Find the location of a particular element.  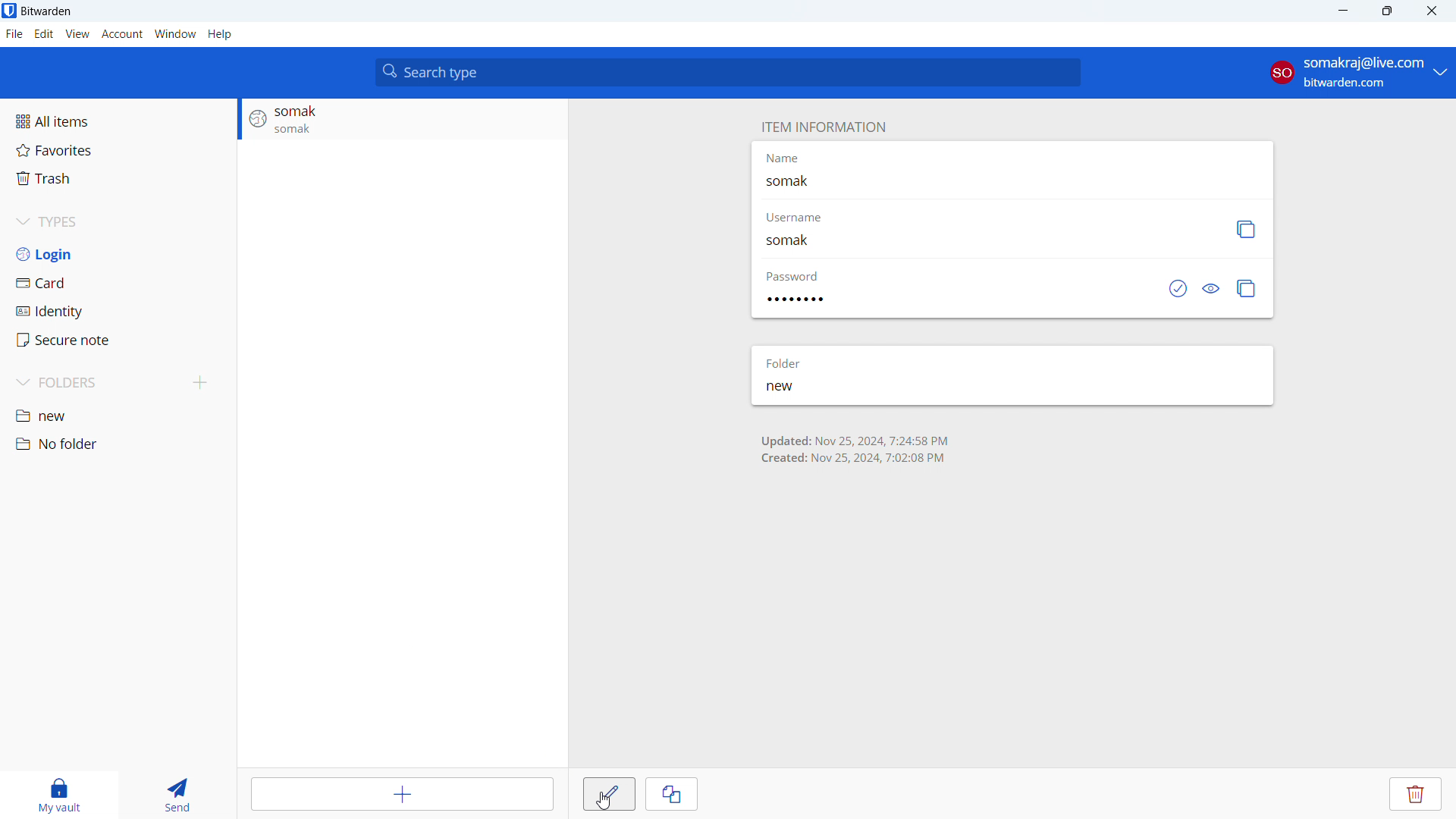

secure note is located at coordinates (119, 340).